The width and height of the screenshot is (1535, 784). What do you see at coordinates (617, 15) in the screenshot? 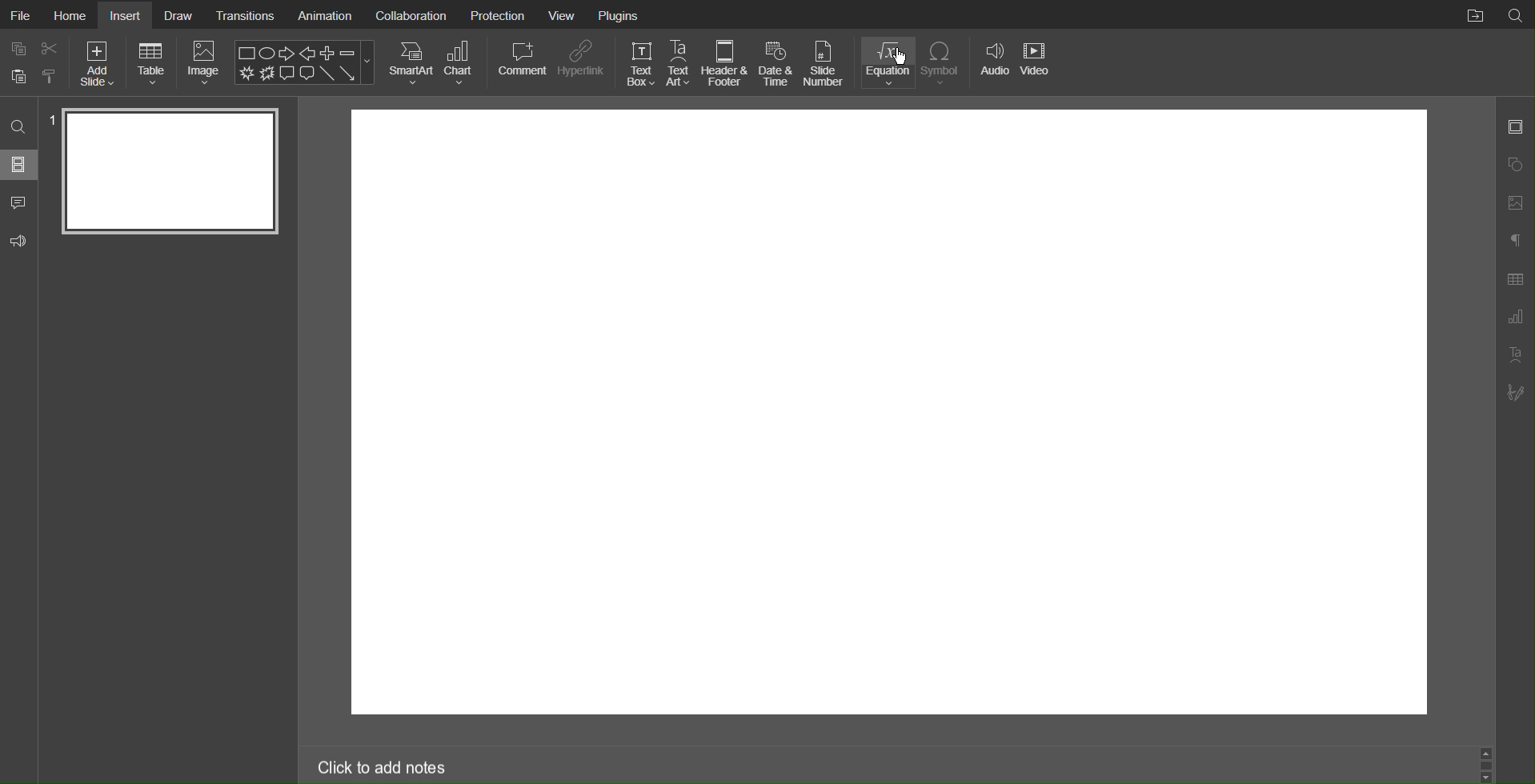
I see `Plugins` at bounding box center [617, 15].